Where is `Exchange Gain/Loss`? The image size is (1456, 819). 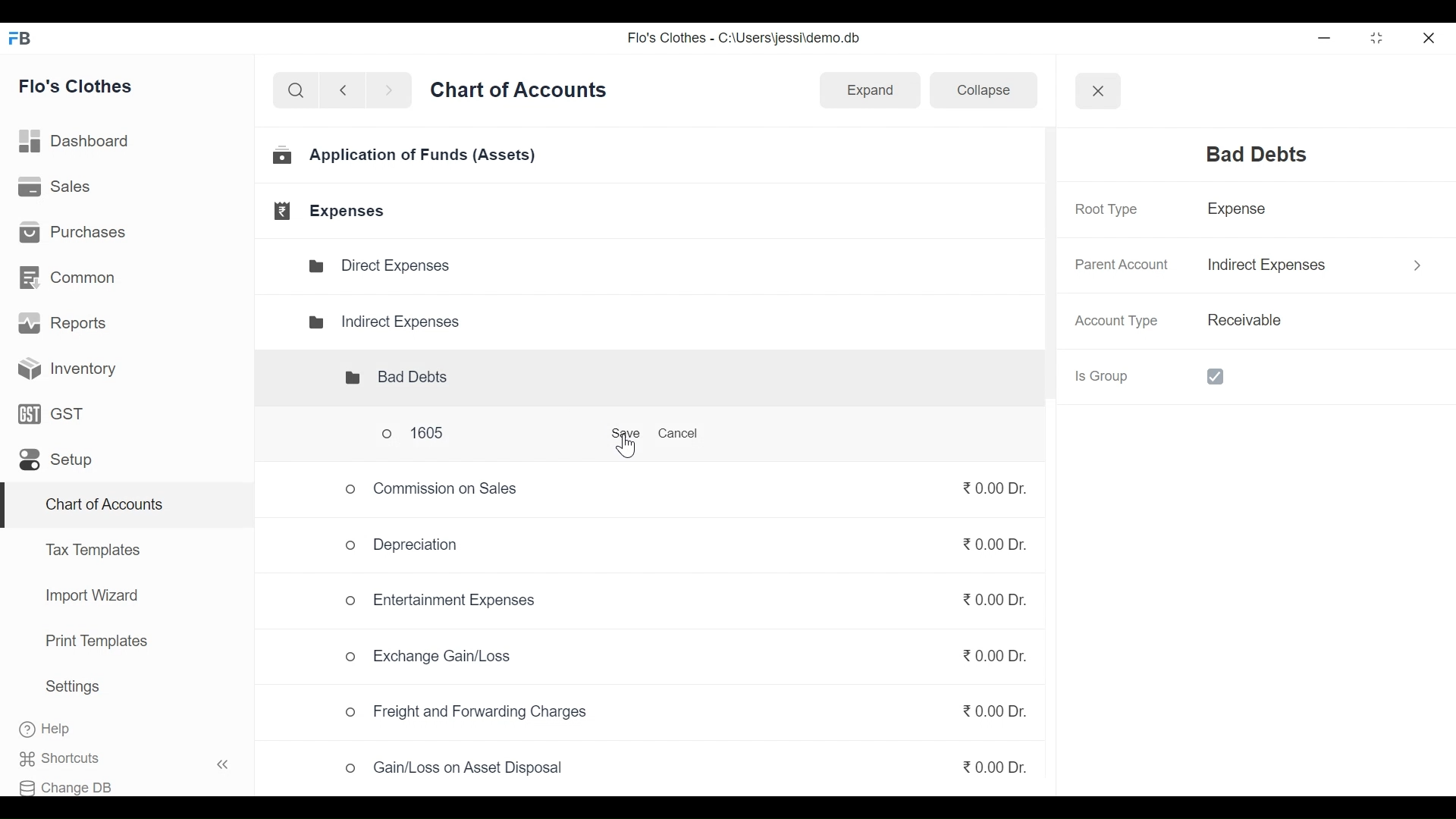
Exchange Gain/Loss is located at coordinates (432, 658).